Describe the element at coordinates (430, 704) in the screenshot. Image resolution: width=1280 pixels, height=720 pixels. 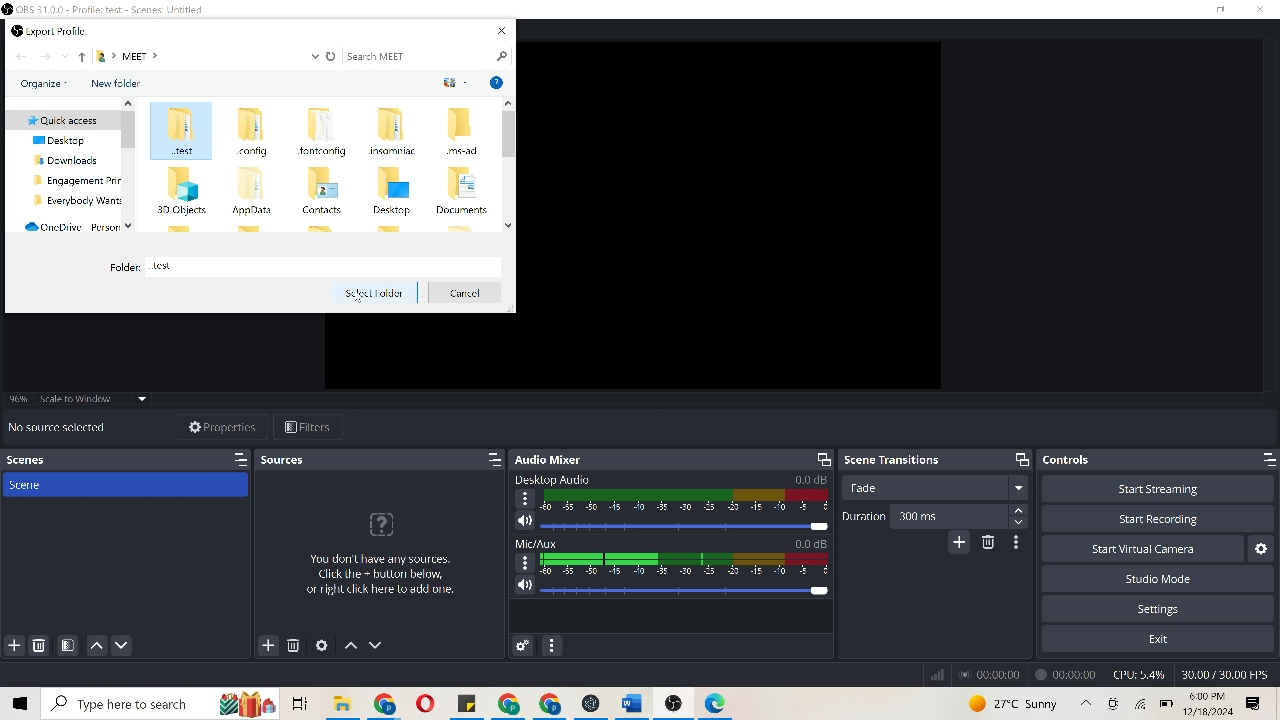
I see `opera` at that location.